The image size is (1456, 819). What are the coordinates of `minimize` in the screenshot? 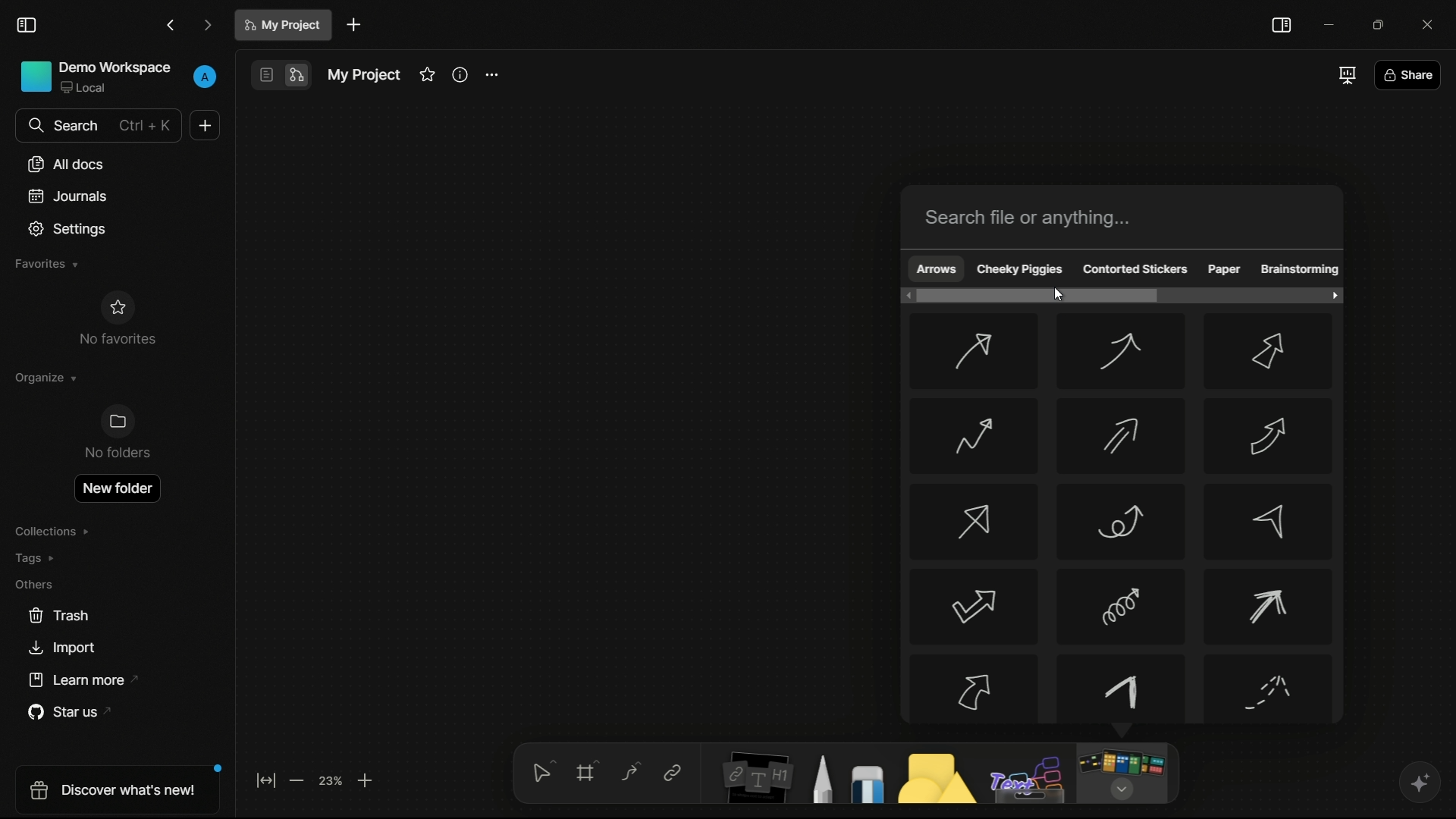 It's located at (1331, 24).